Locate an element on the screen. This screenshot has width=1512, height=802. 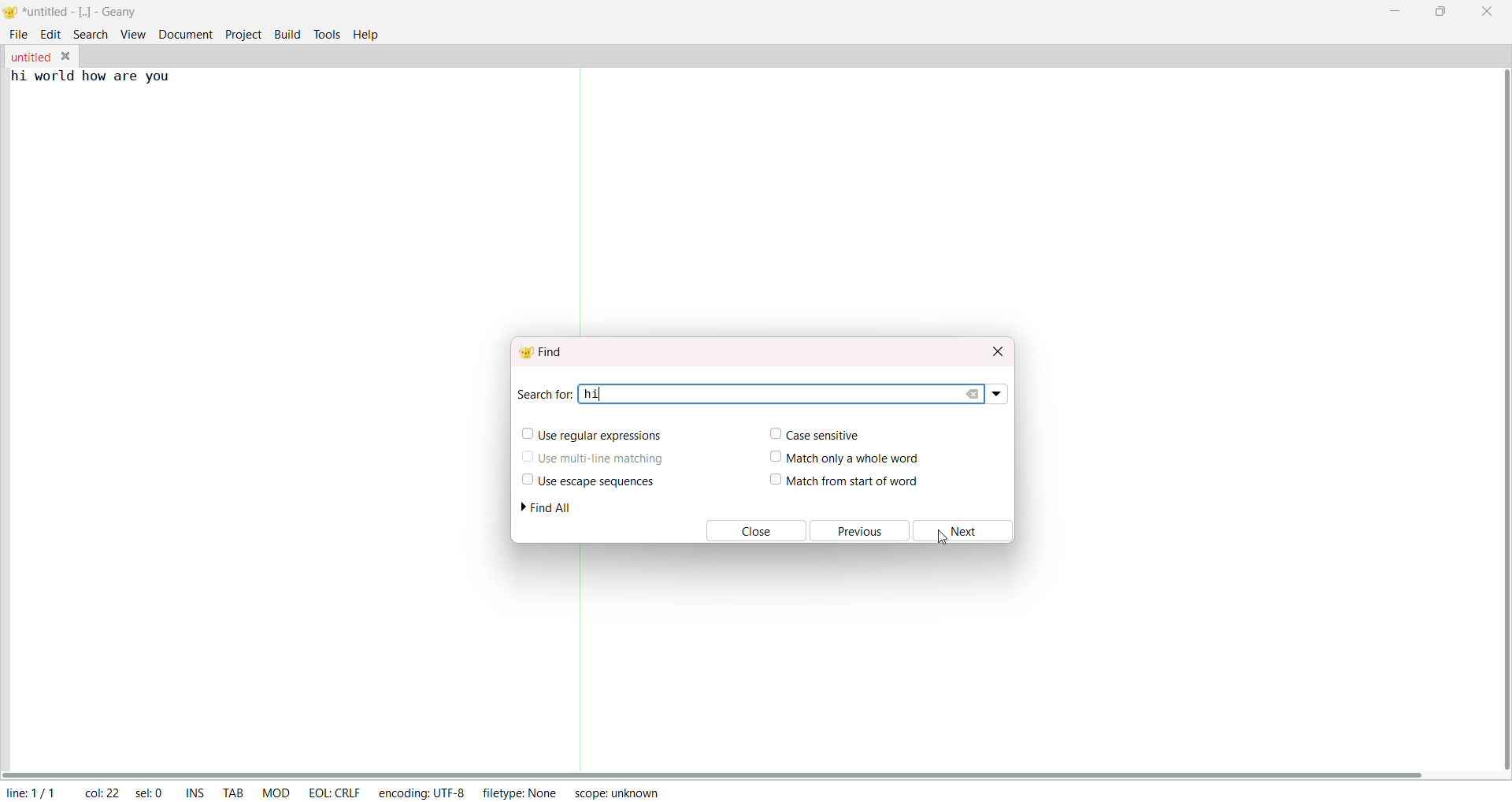
use escape sequence is located at coordinates (585, 483).